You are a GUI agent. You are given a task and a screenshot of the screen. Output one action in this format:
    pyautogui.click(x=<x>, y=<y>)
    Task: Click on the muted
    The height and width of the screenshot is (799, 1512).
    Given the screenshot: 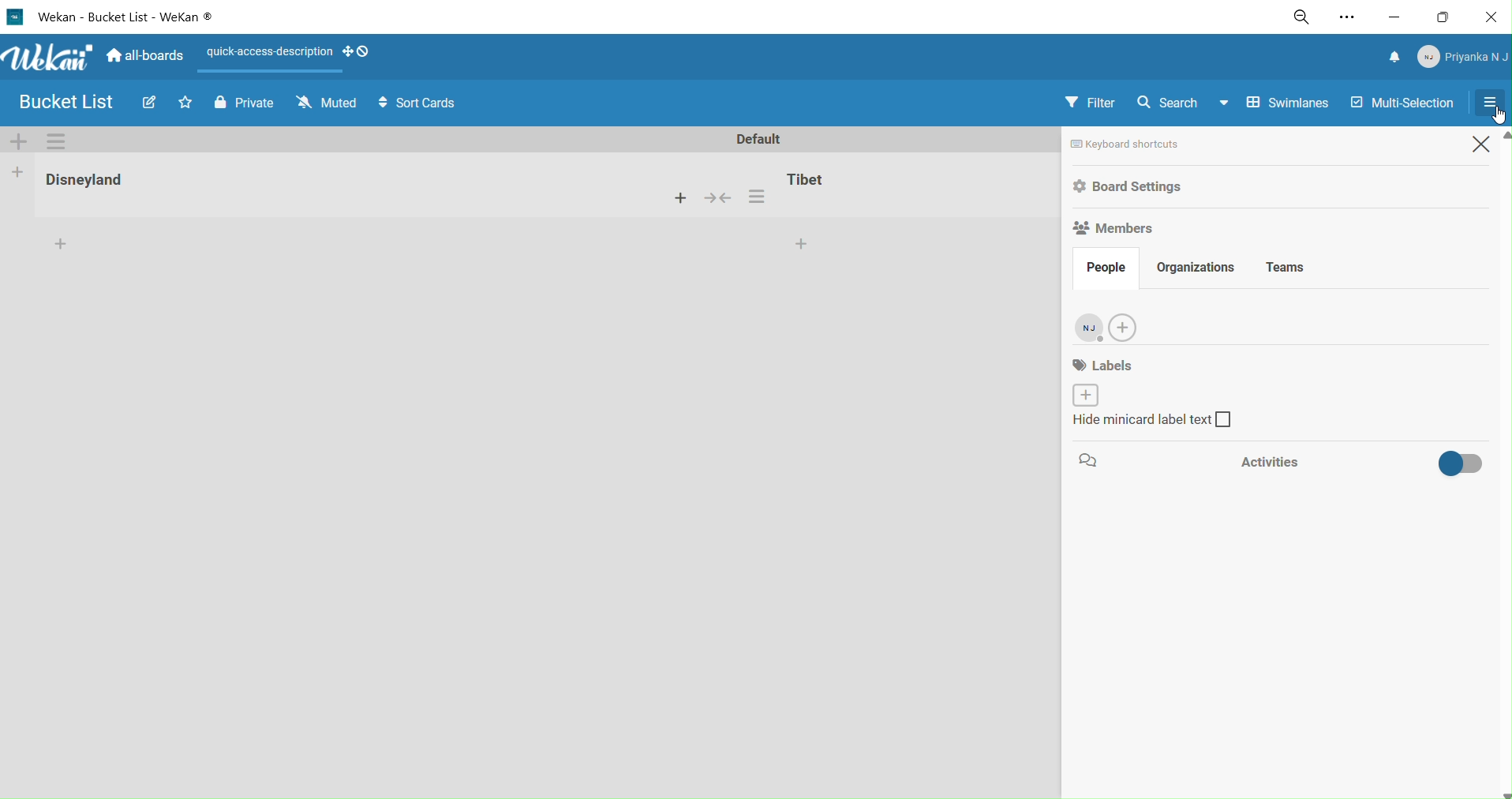 What is the action you would take?
    pyautogui.click(x=324, y=100)
    